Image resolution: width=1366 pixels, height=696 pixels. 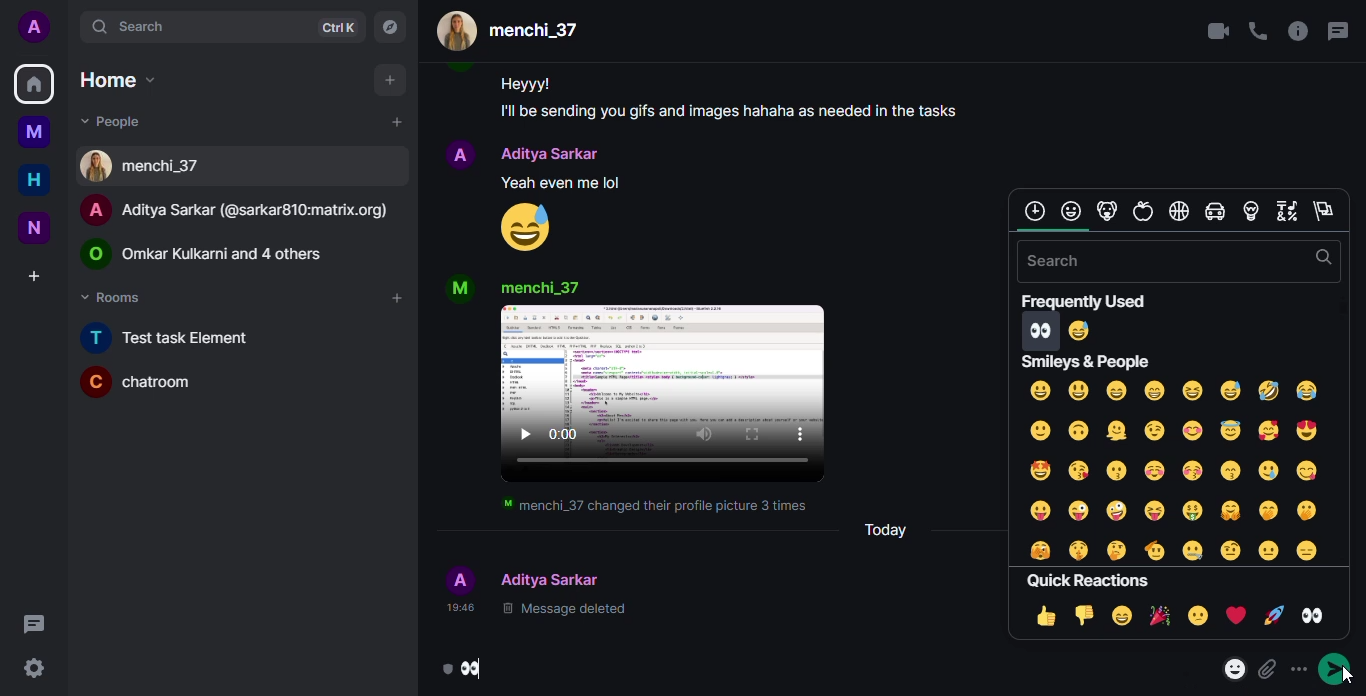 I want to click on frequently used, so click(x=1086, y=302).